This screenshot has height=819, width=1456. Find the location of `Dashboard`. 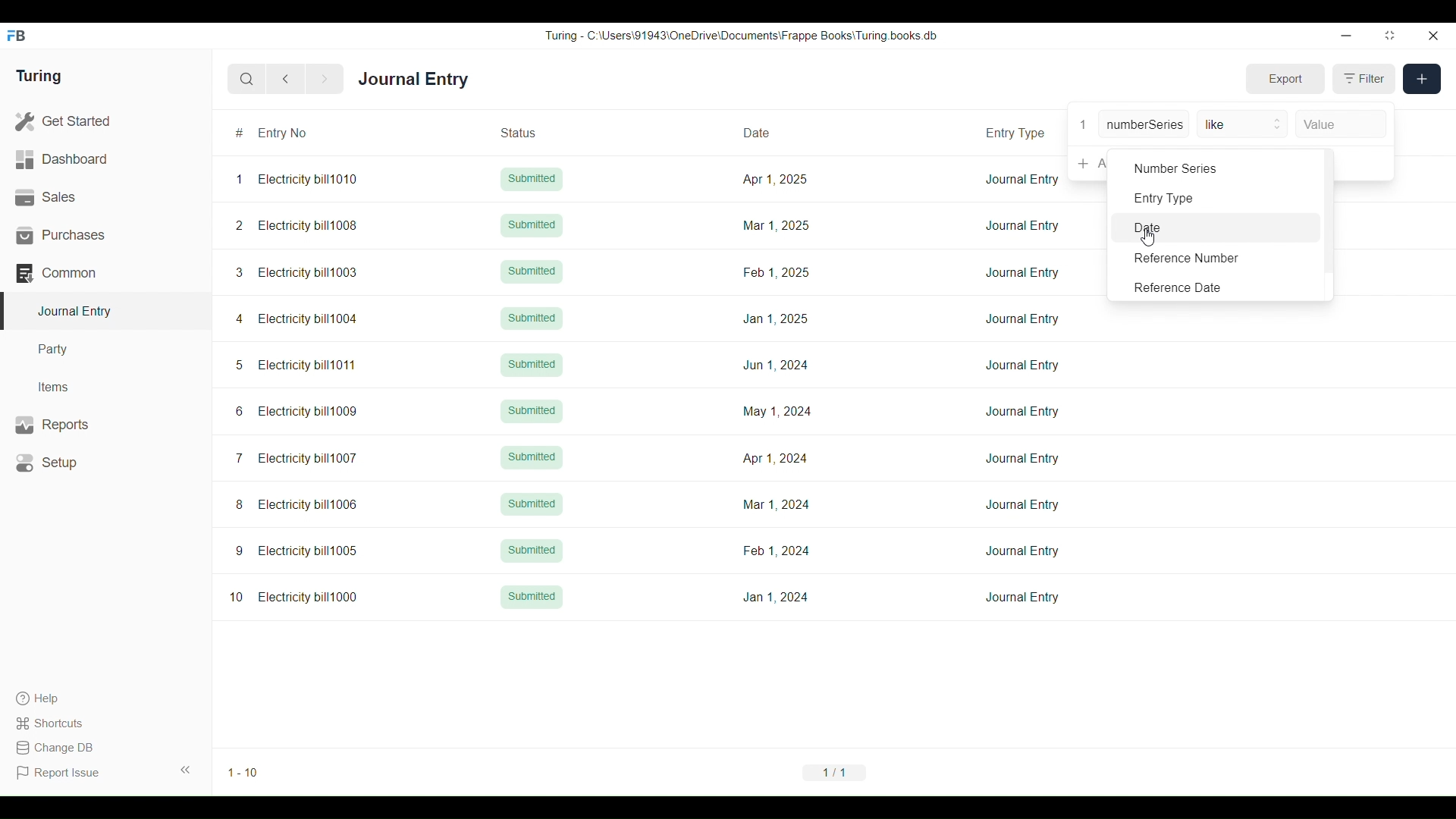

Dashboard is located at coordinates (105, 159).